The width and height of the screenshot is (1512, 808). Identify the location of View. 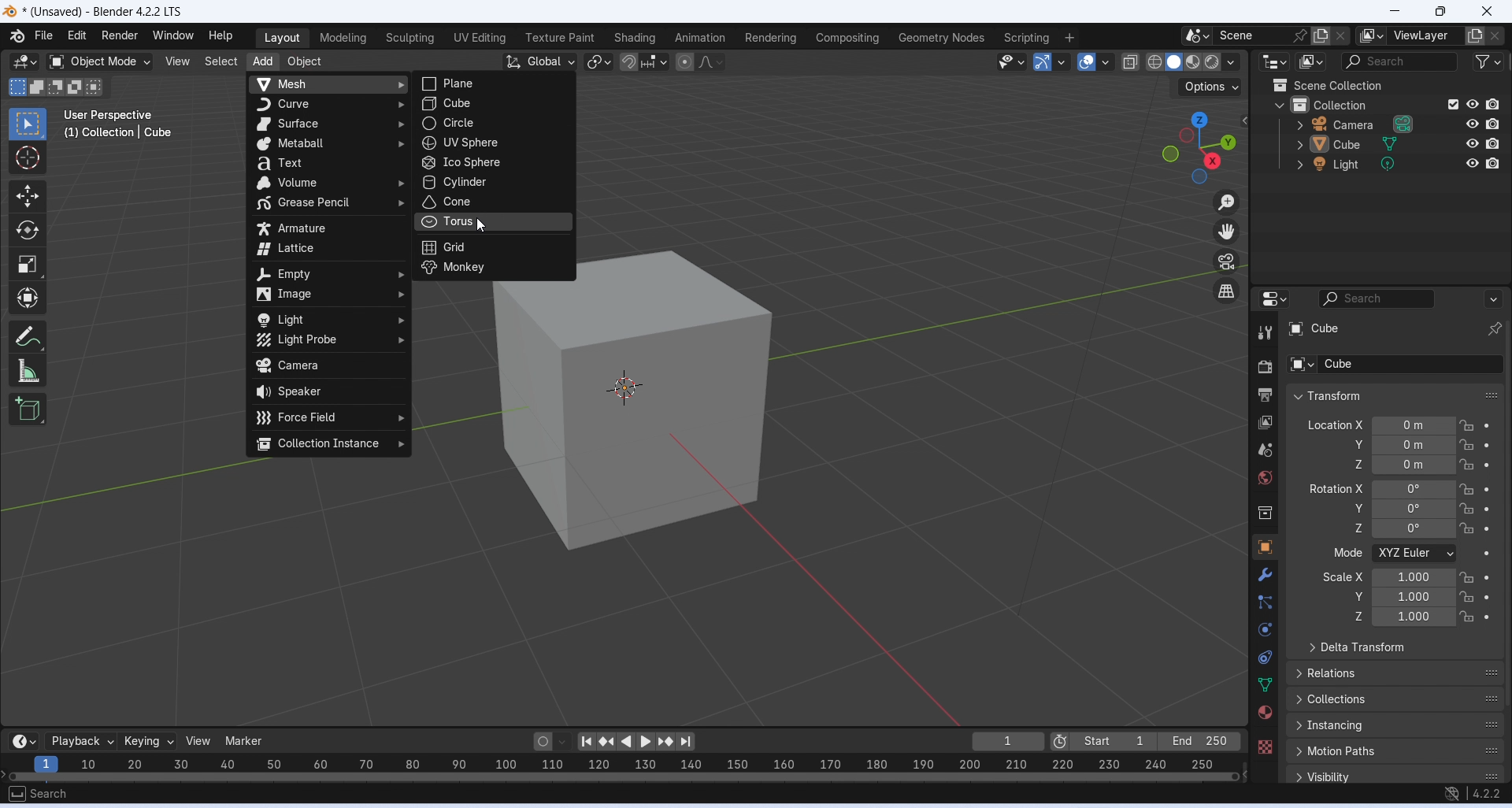
(178, 60).